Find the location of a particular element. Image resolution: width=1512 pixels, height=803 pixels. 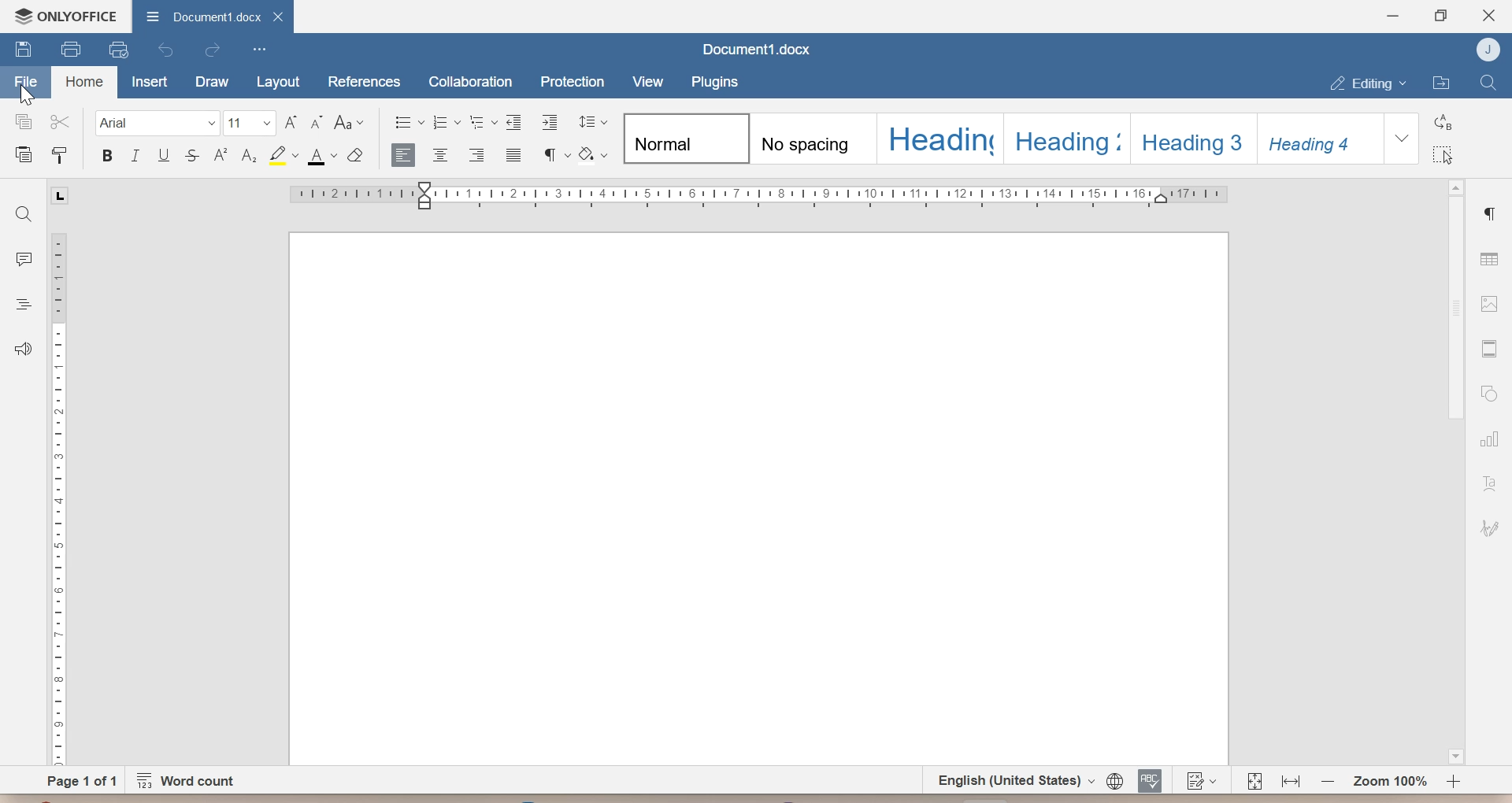

Scale is located at coordinates (57, 497).